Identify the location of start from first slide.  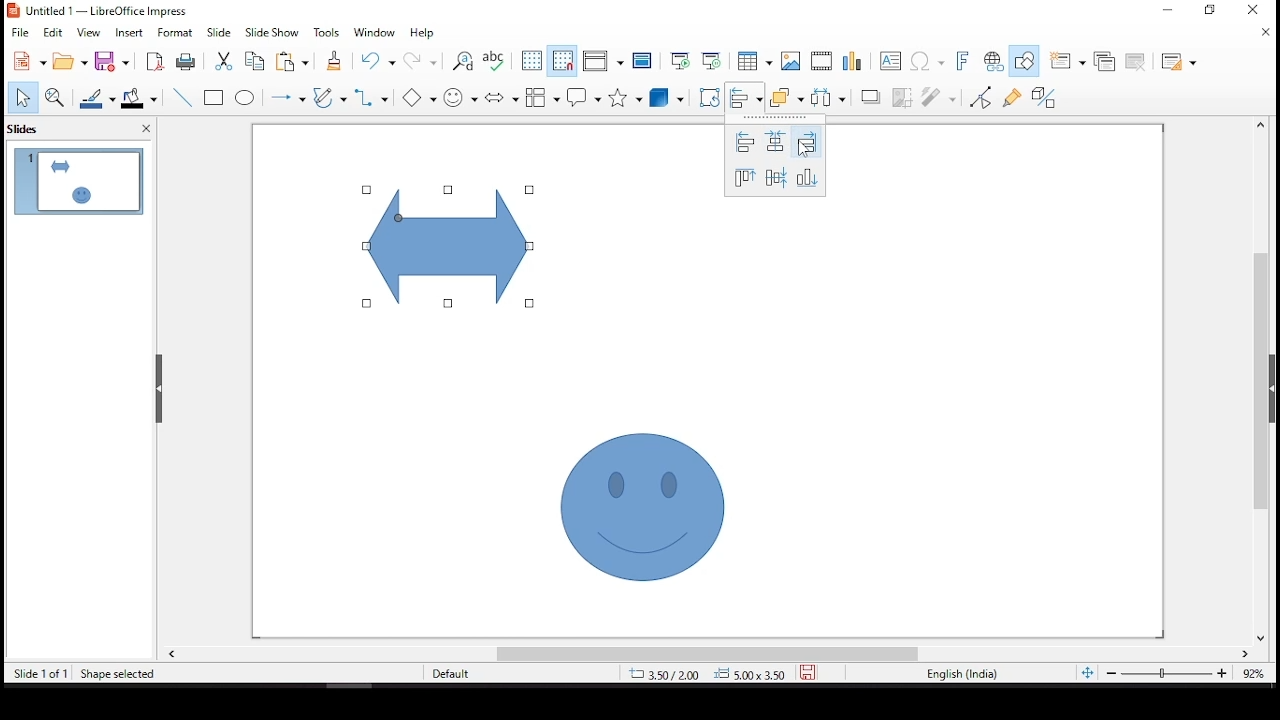
(680, 60).